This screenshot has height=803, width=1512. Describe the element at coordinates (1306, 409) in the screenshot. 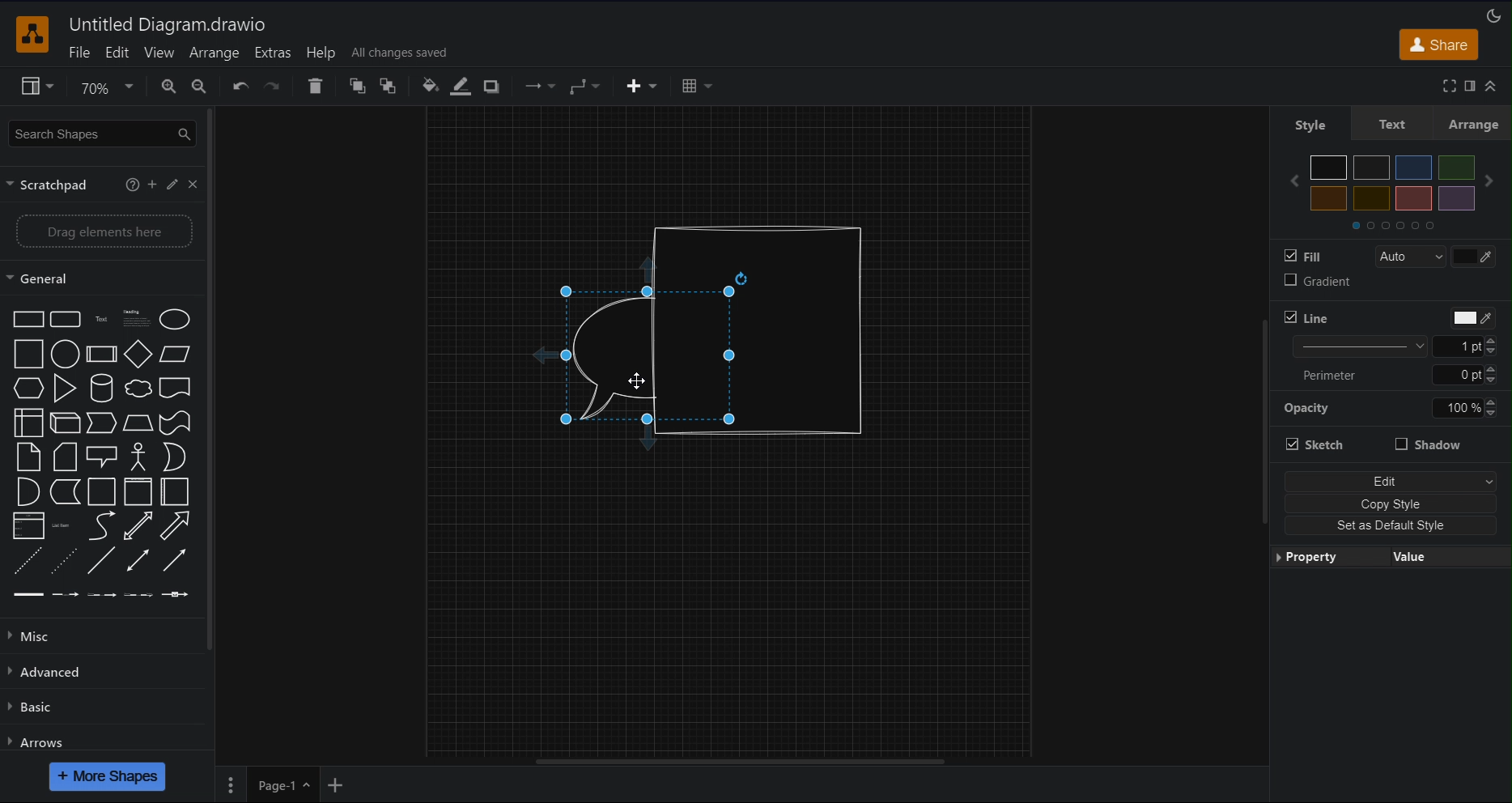

I see `Opacity` at that location.